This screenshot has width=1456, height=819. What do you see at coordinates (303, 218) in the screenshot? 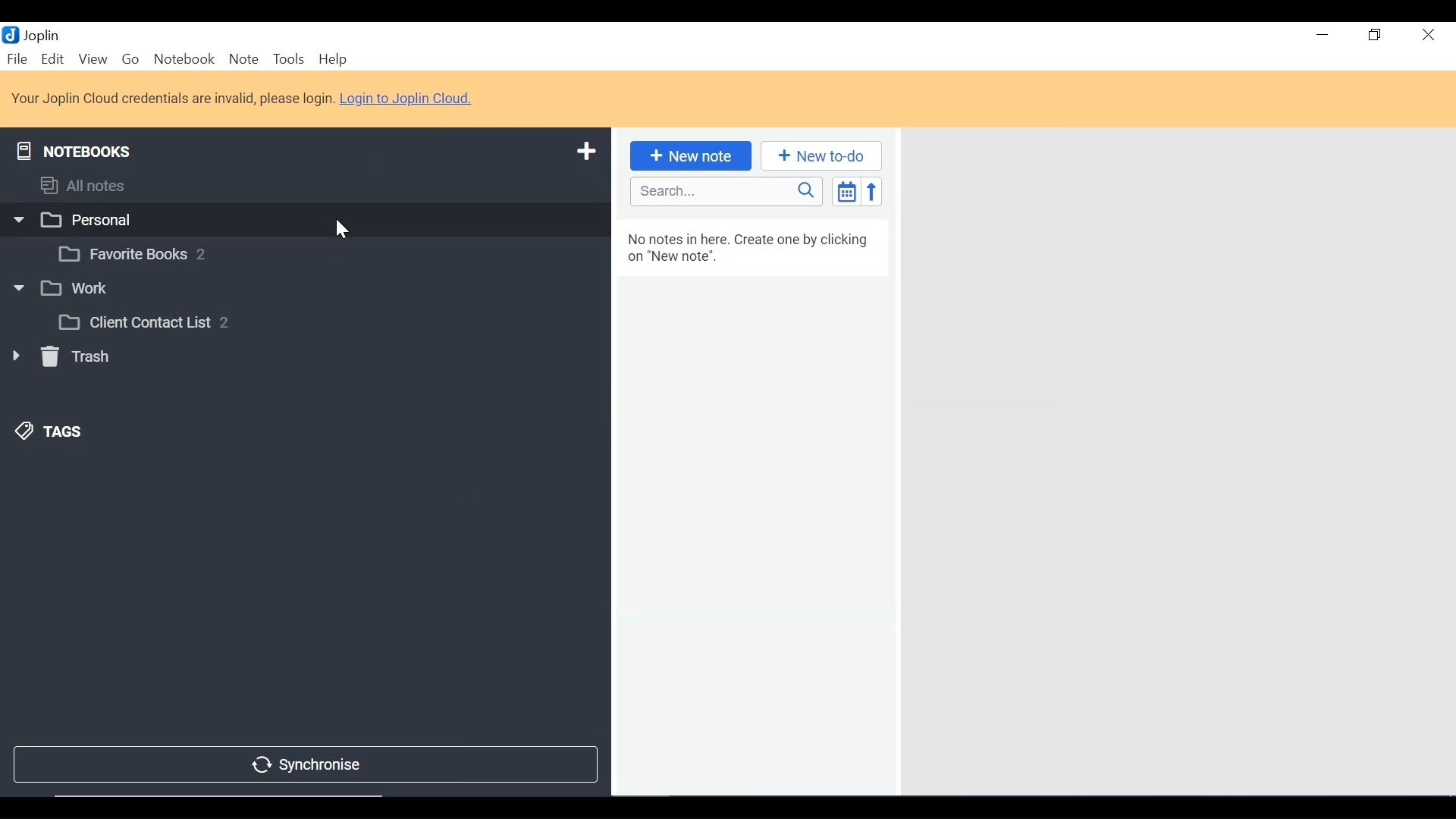
I see `Notebook` at bounding box center [303, 218].